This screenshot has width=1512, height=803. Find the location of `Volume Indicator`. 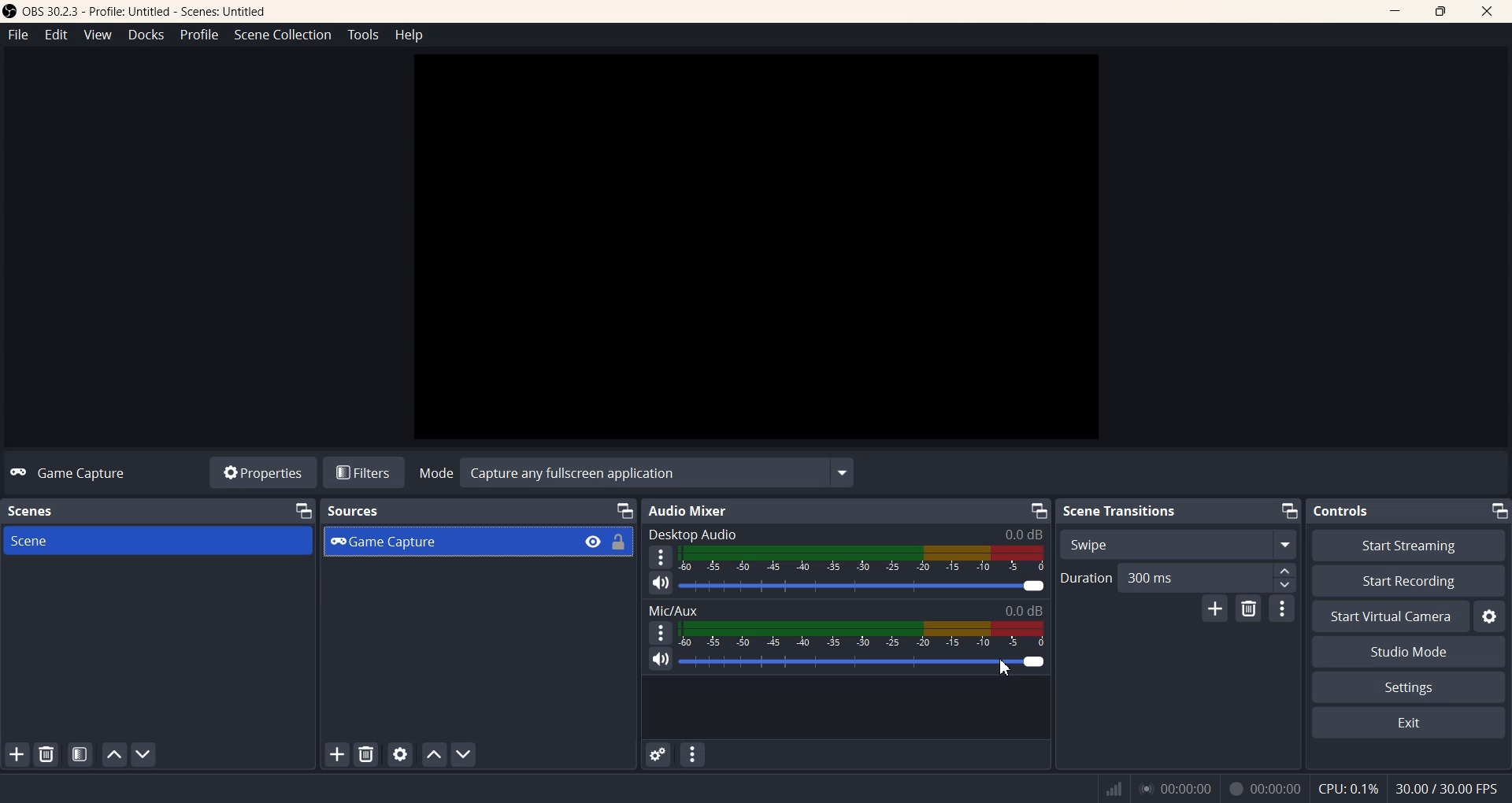

Volume Indicator is located at coordinates (861, 633).